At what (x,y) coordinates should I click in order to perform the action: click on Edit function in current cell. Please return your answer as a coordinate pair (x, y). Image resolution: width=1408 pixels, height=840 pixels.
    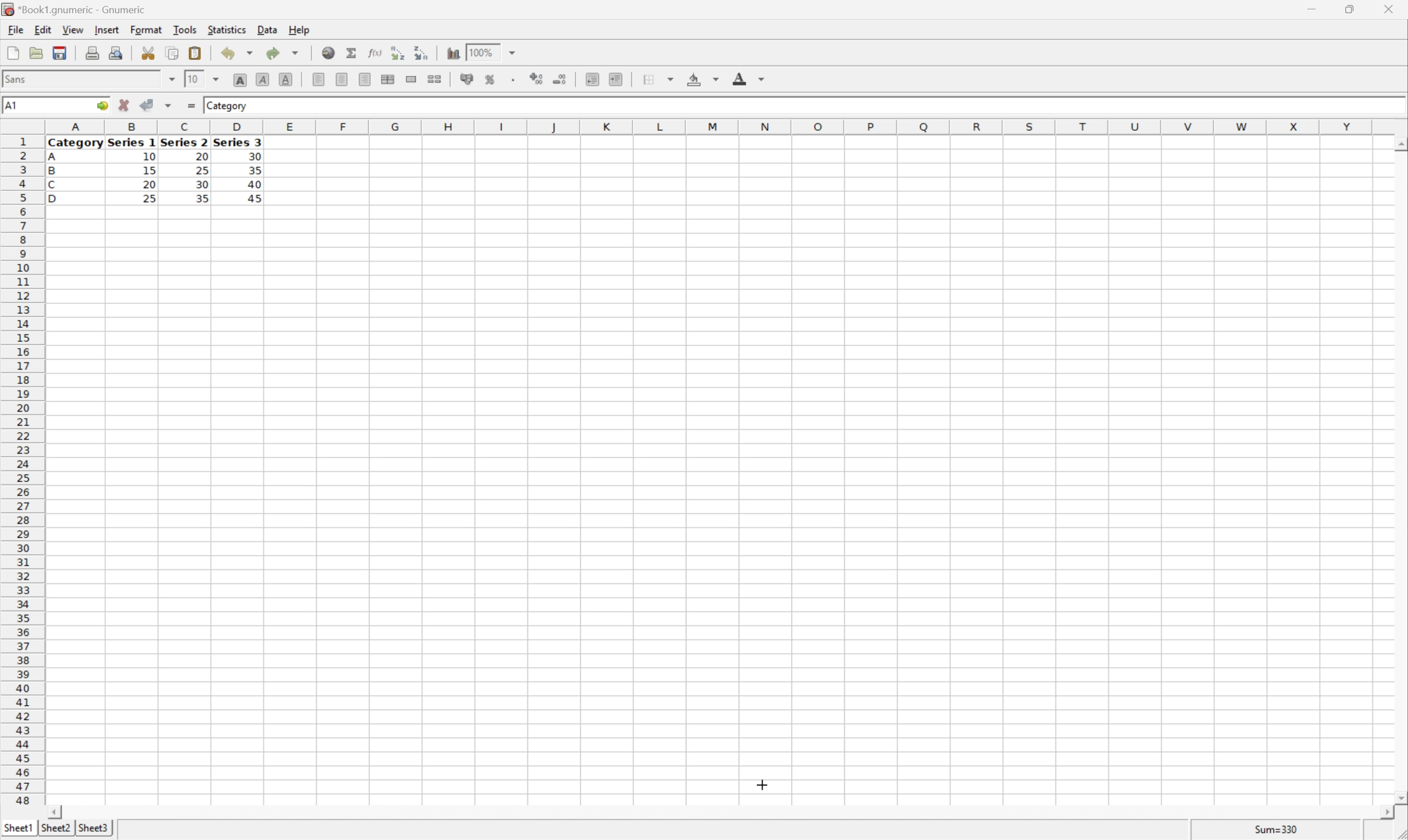
    Looking at the image, I should click on (376, 53).